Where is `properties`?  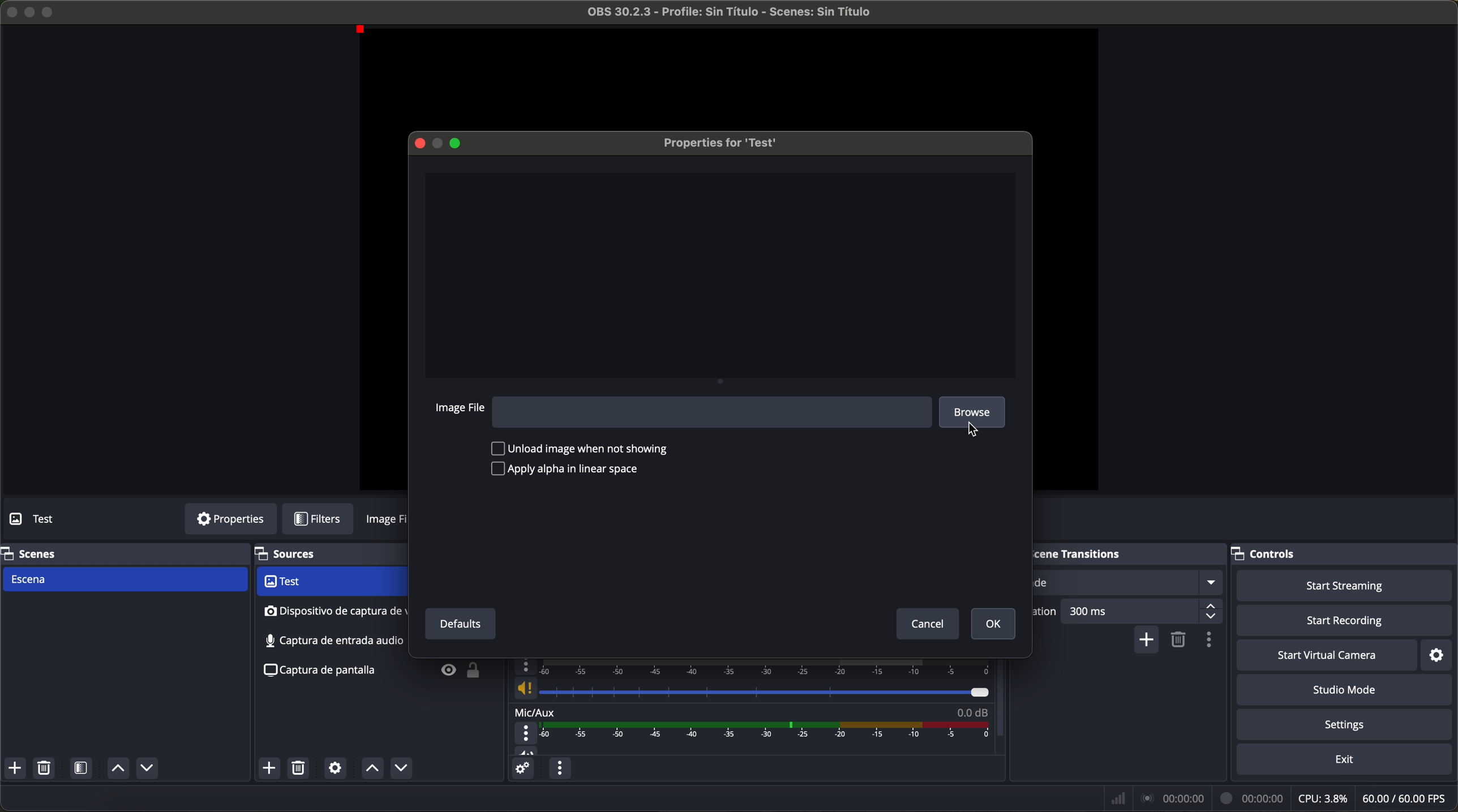
properties is located at coordinates (230, 519).